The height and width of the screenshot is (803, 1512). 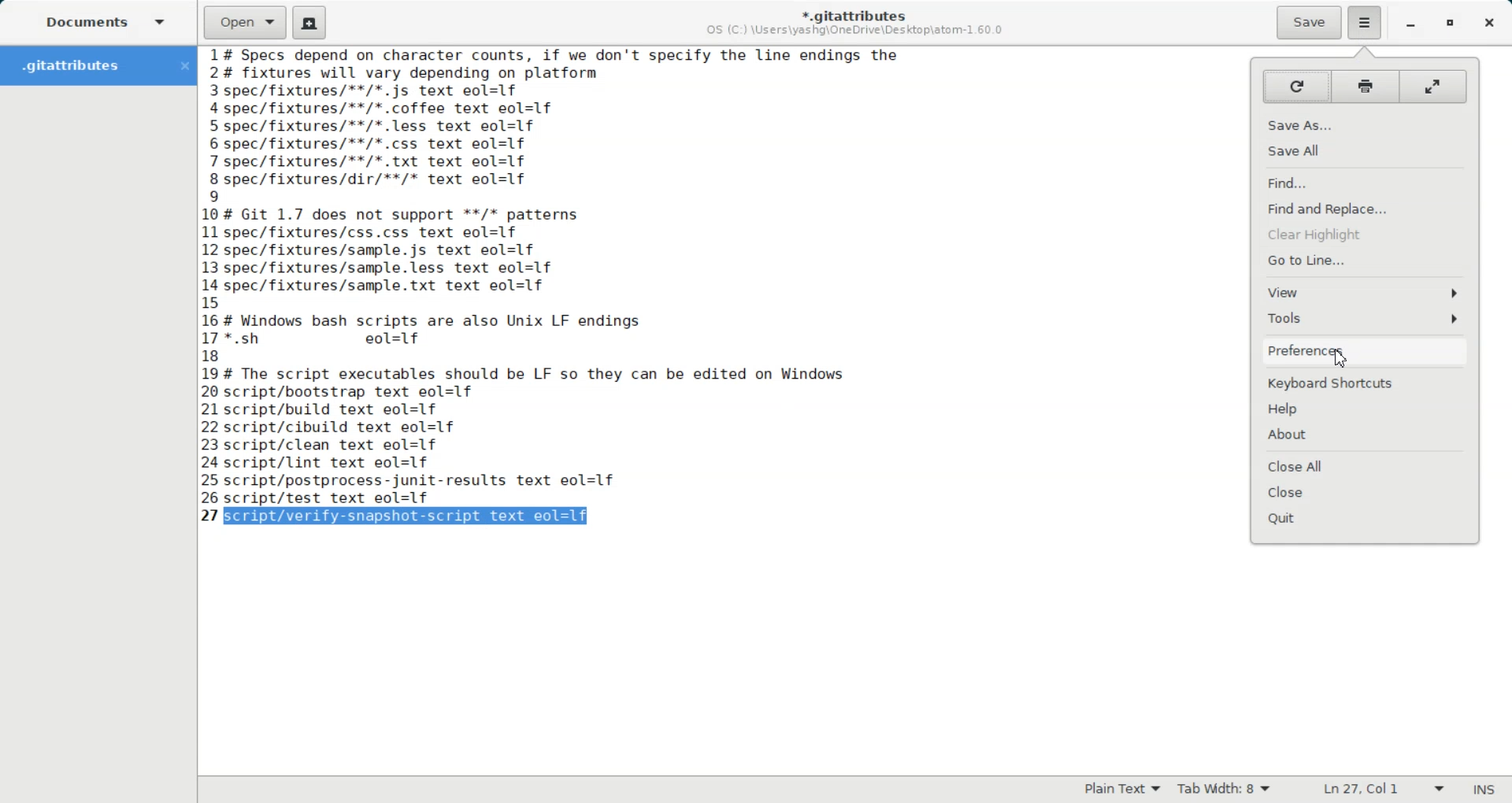 What do you see at coordinates (1366, 351) in the screenshot?
I see `Preferences` at bounding box center [1366, 351].